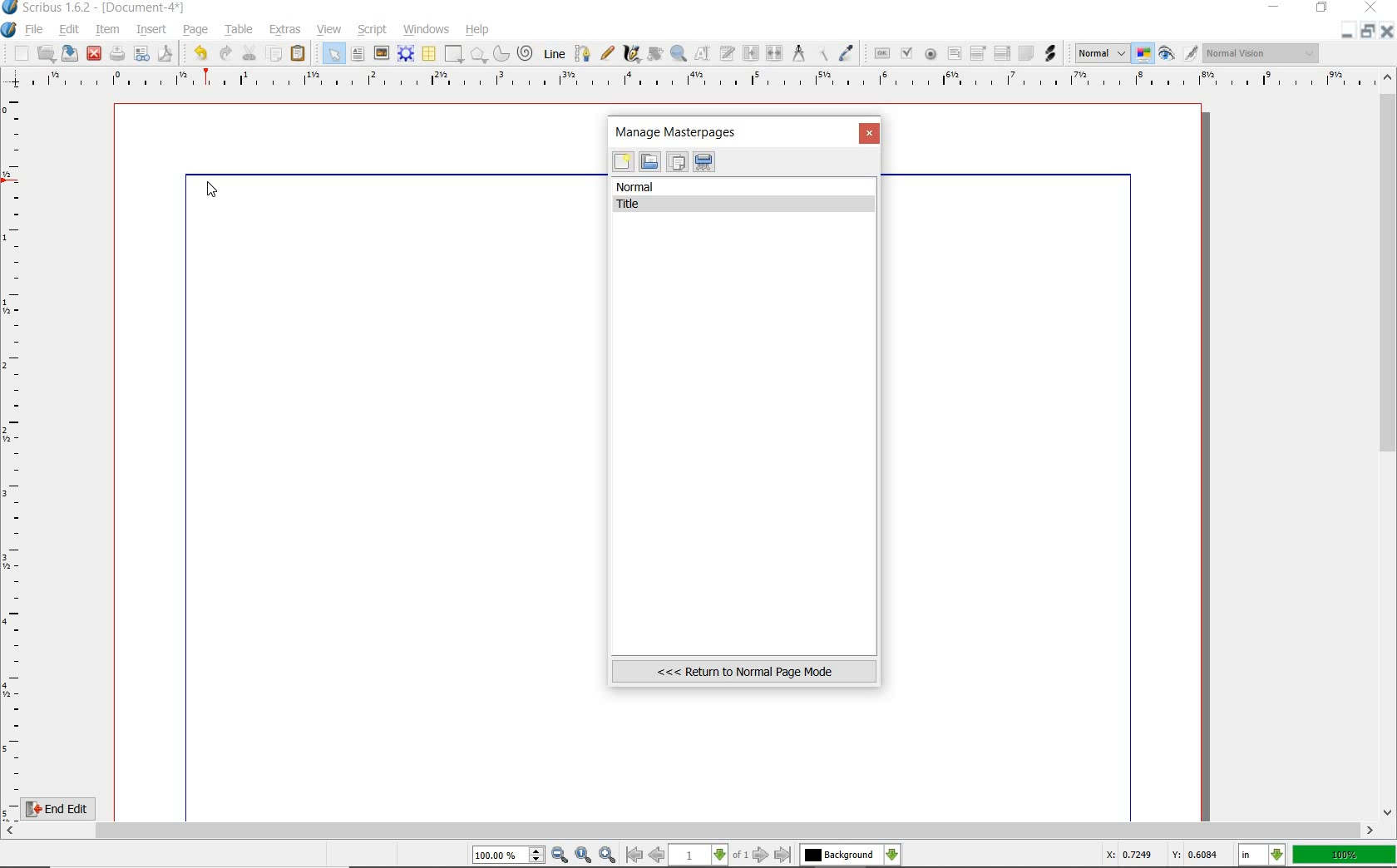 This screenshot has width=1397, height=868. Describe the element at coordinates (1001, 55) in the screenshot. I see `pdf list box` at that location.